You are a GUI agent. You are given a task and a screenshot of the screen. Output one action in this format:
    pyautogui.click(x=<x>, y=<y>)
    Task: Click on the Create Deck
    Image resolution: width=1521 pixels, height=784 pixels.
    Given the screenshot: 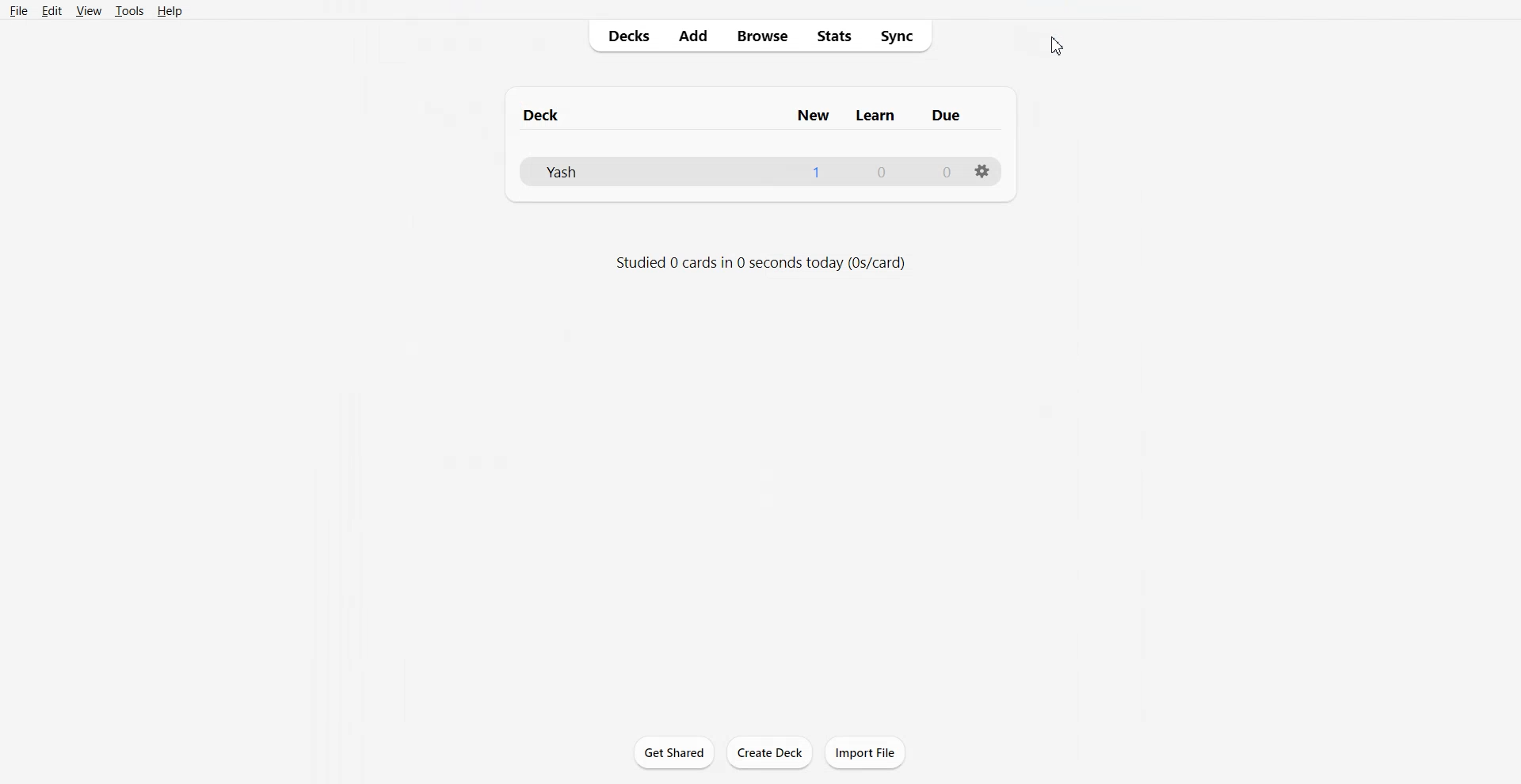 What is the action you would take?
    pyautogui.click(x=769, y=752)
    